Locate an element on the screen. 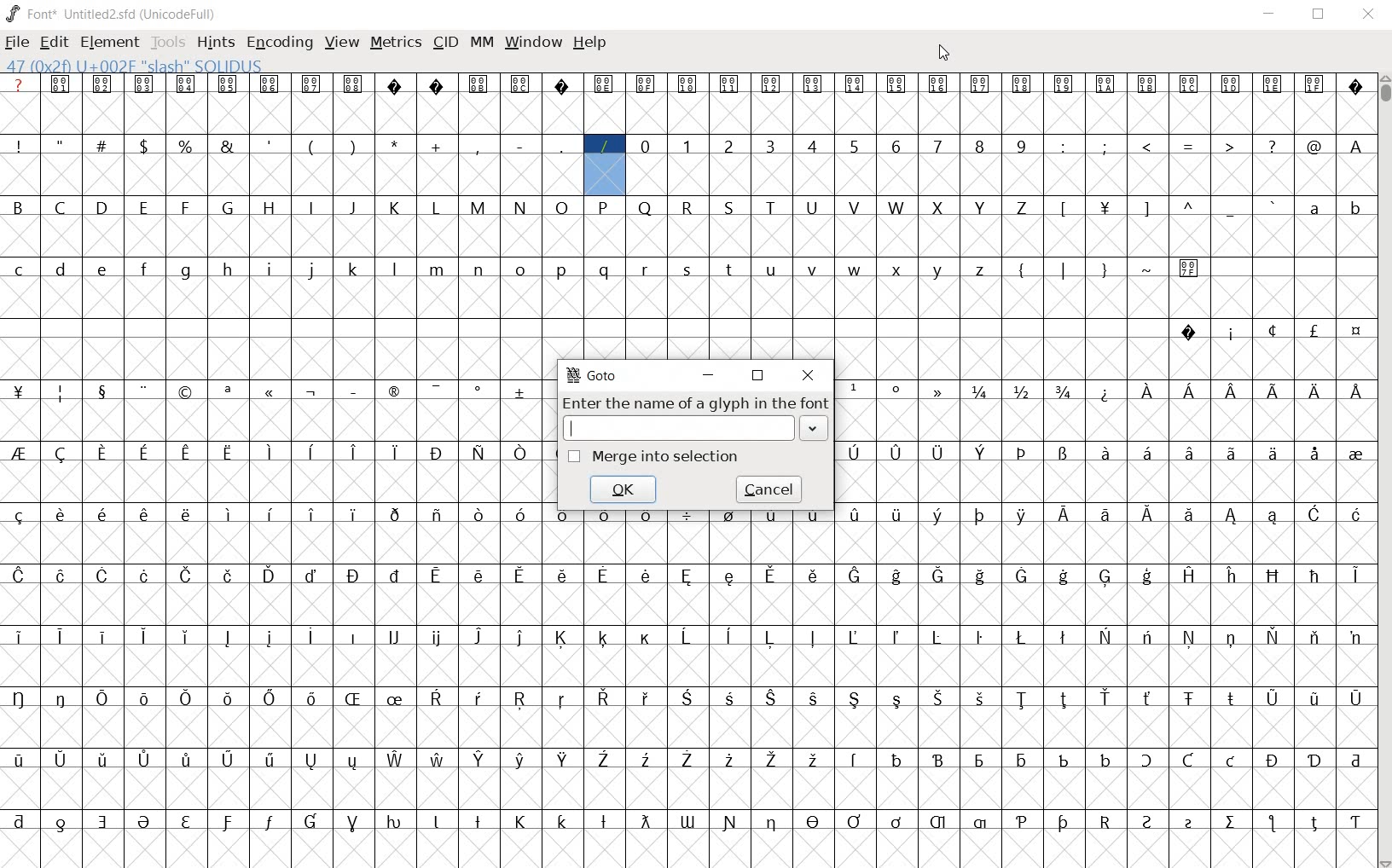 This screenshot has width=1392, height=868. glyph is located at coordinates (897, 701).